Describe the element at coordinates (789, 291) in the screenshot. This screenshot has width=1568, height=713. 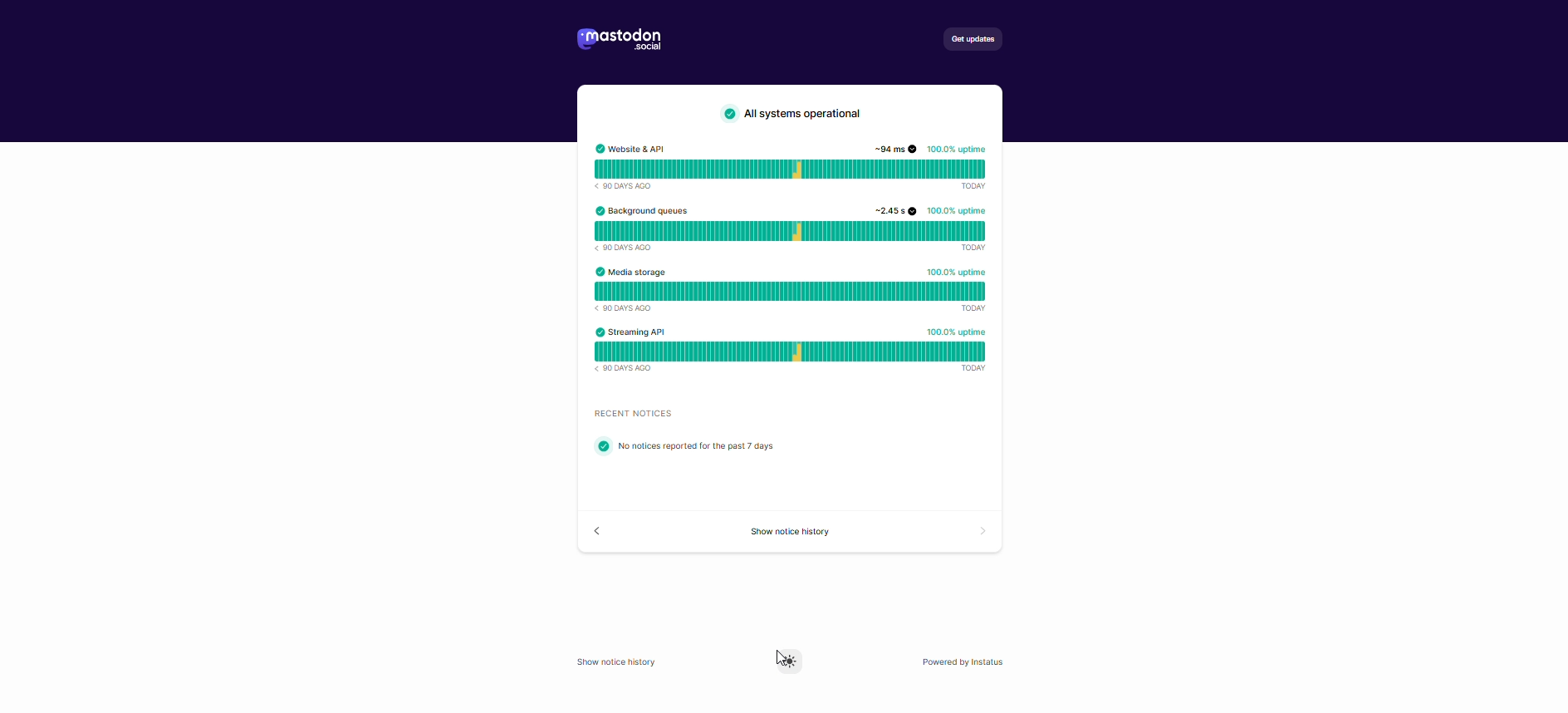
I see `media storage` at that location.